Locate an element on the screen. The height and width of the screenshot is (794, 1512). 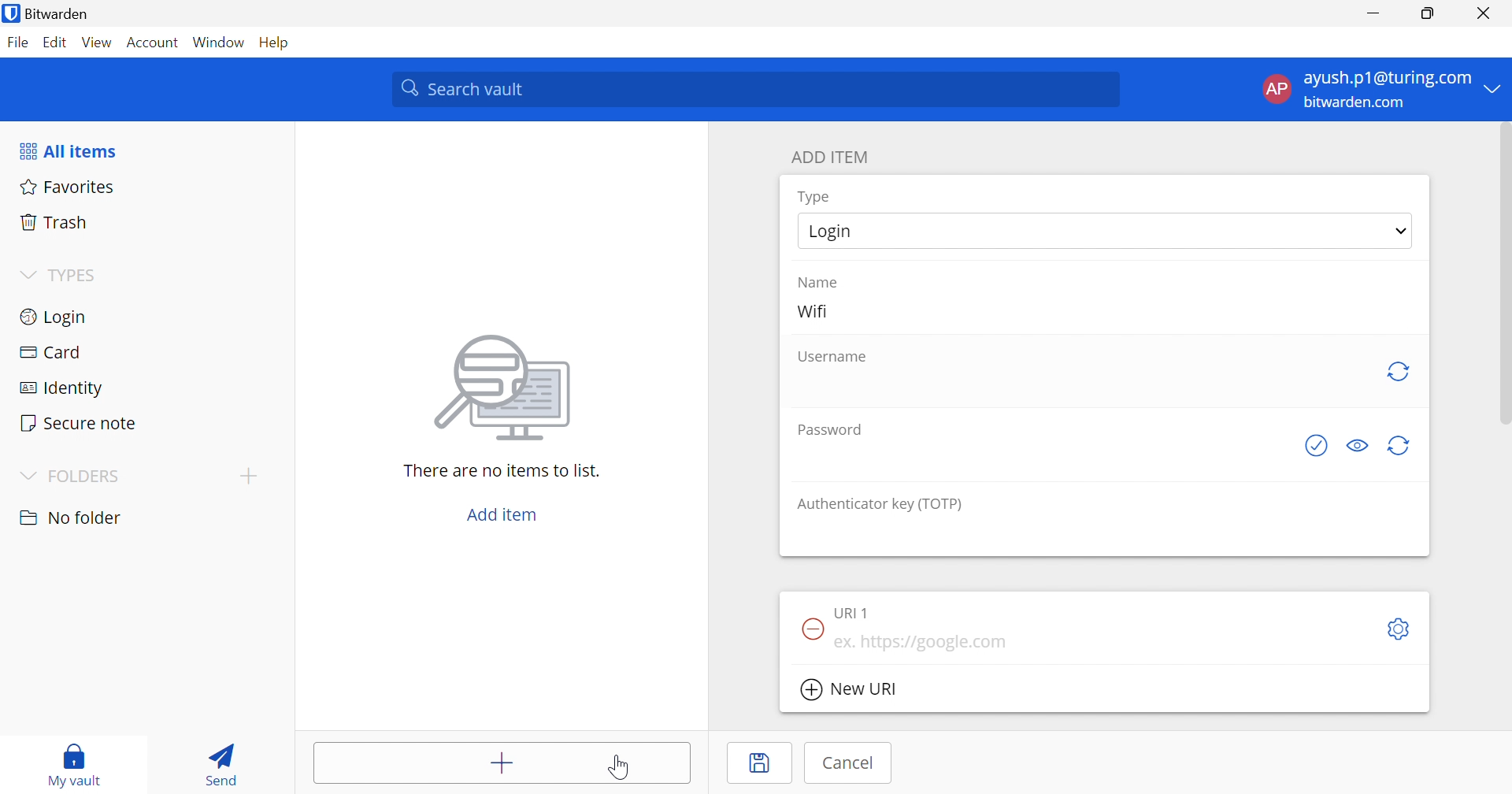
Restore Down is located at coordinates (1429, 13).